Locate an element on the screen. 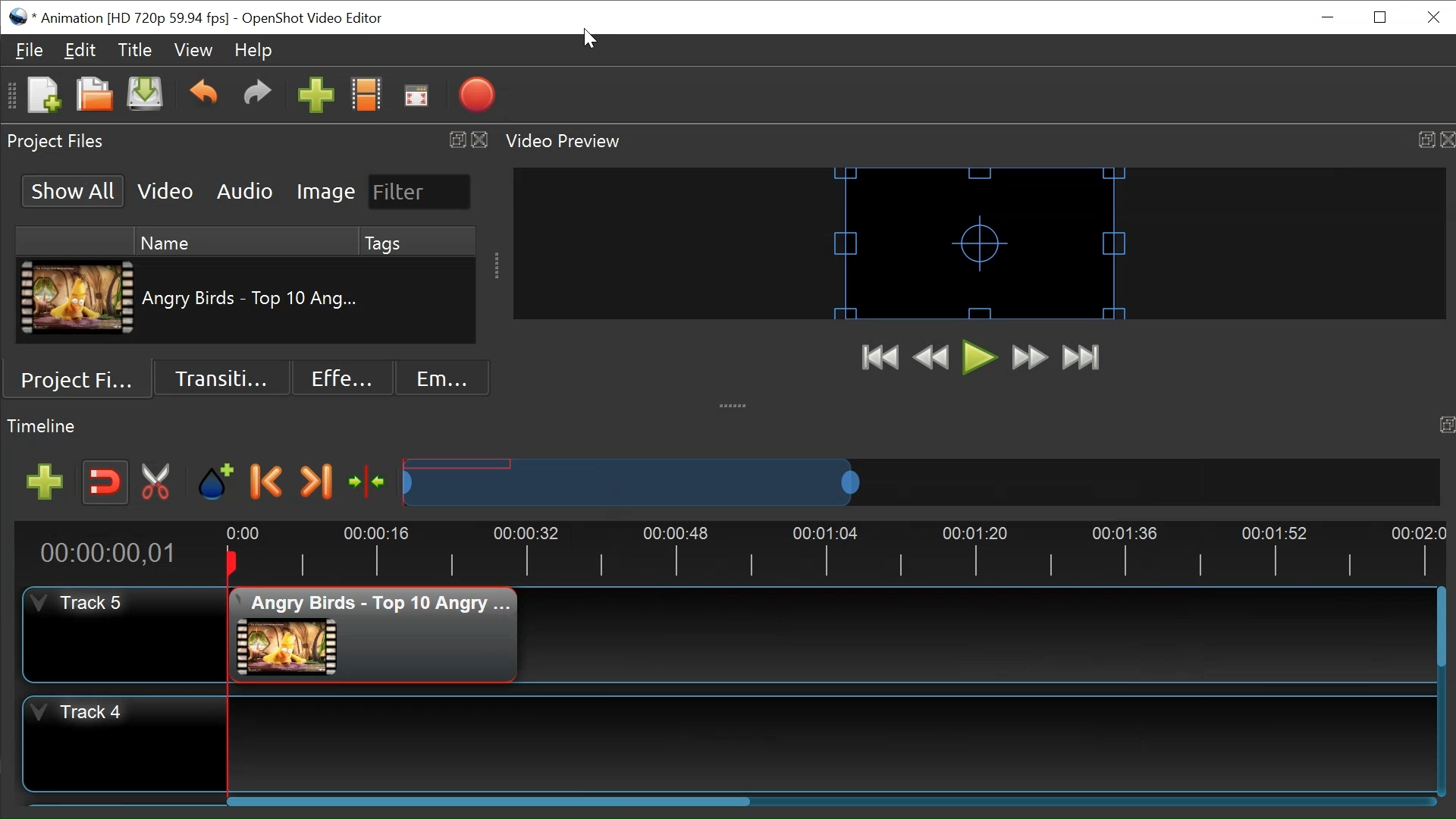  Close is located at coordinates (1436, 17).